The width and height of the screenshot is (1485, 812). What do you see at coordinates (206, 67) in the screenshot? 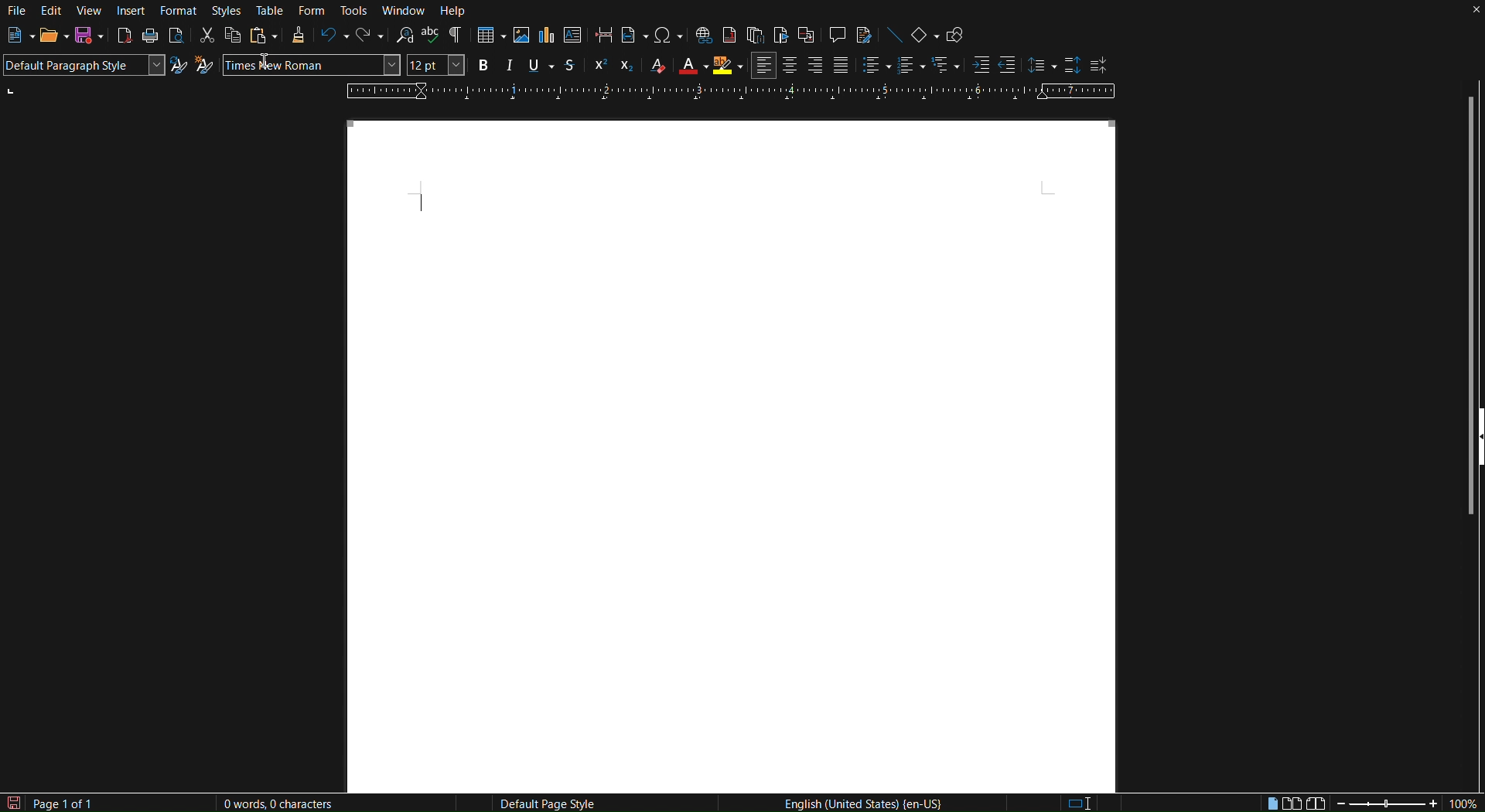
I see `New Style from Selection` at bounding box center [206, 67].